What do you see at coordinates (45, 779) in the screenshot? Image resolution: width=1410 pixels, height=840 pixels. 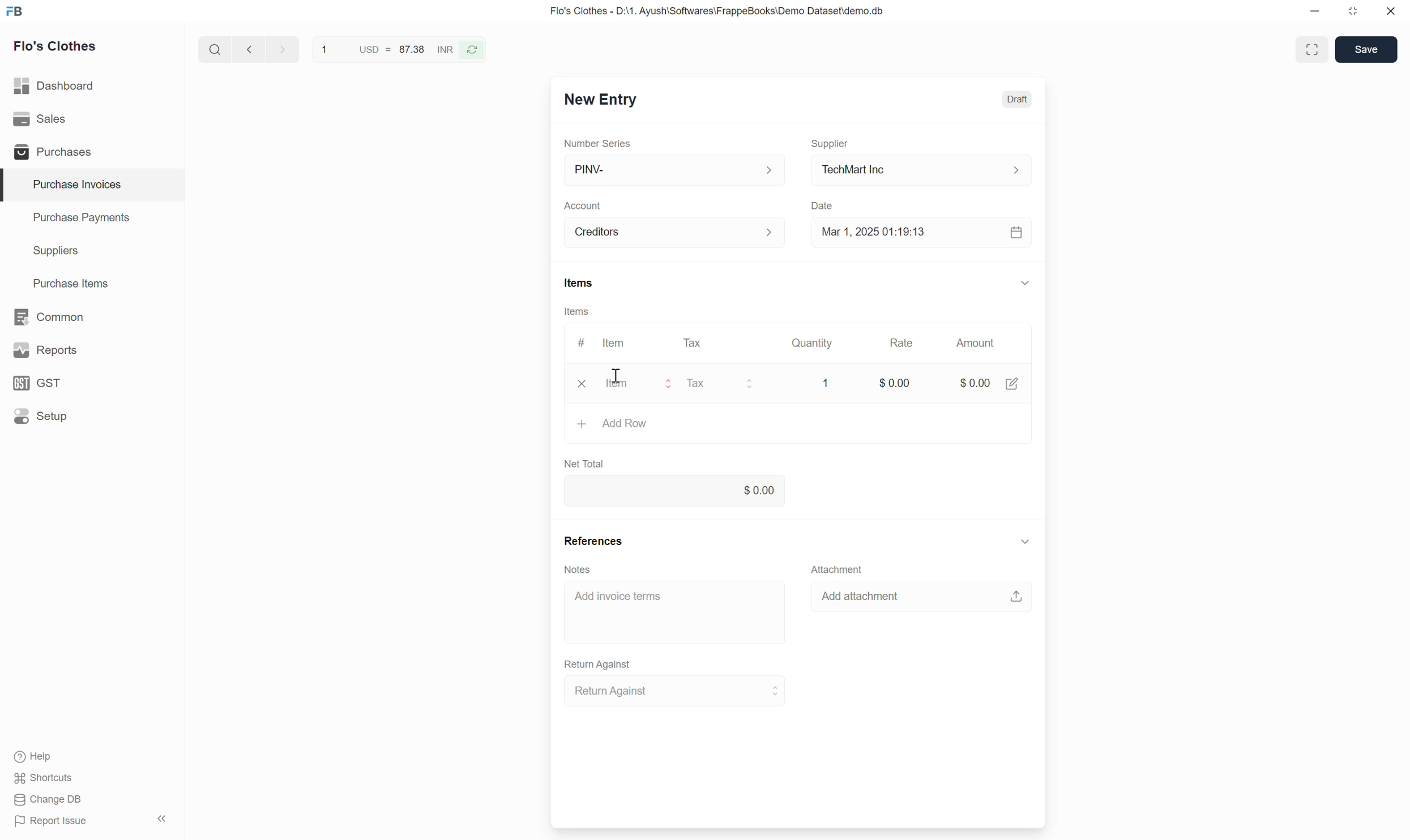 I see `Shortcuts` at bounding box center [45, 779].